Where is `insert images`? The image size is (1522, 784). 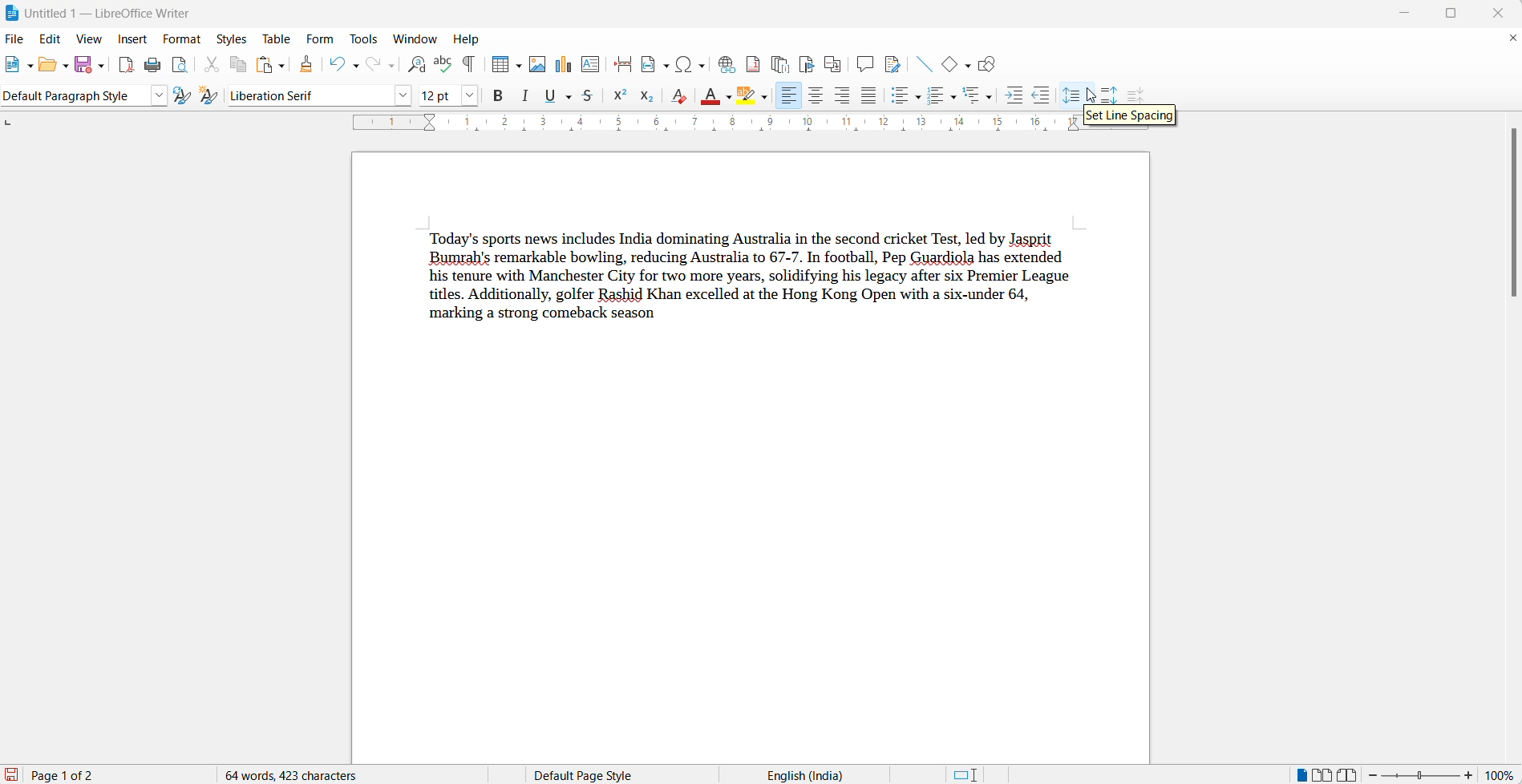
insert images is located at coordinates (540, 65).